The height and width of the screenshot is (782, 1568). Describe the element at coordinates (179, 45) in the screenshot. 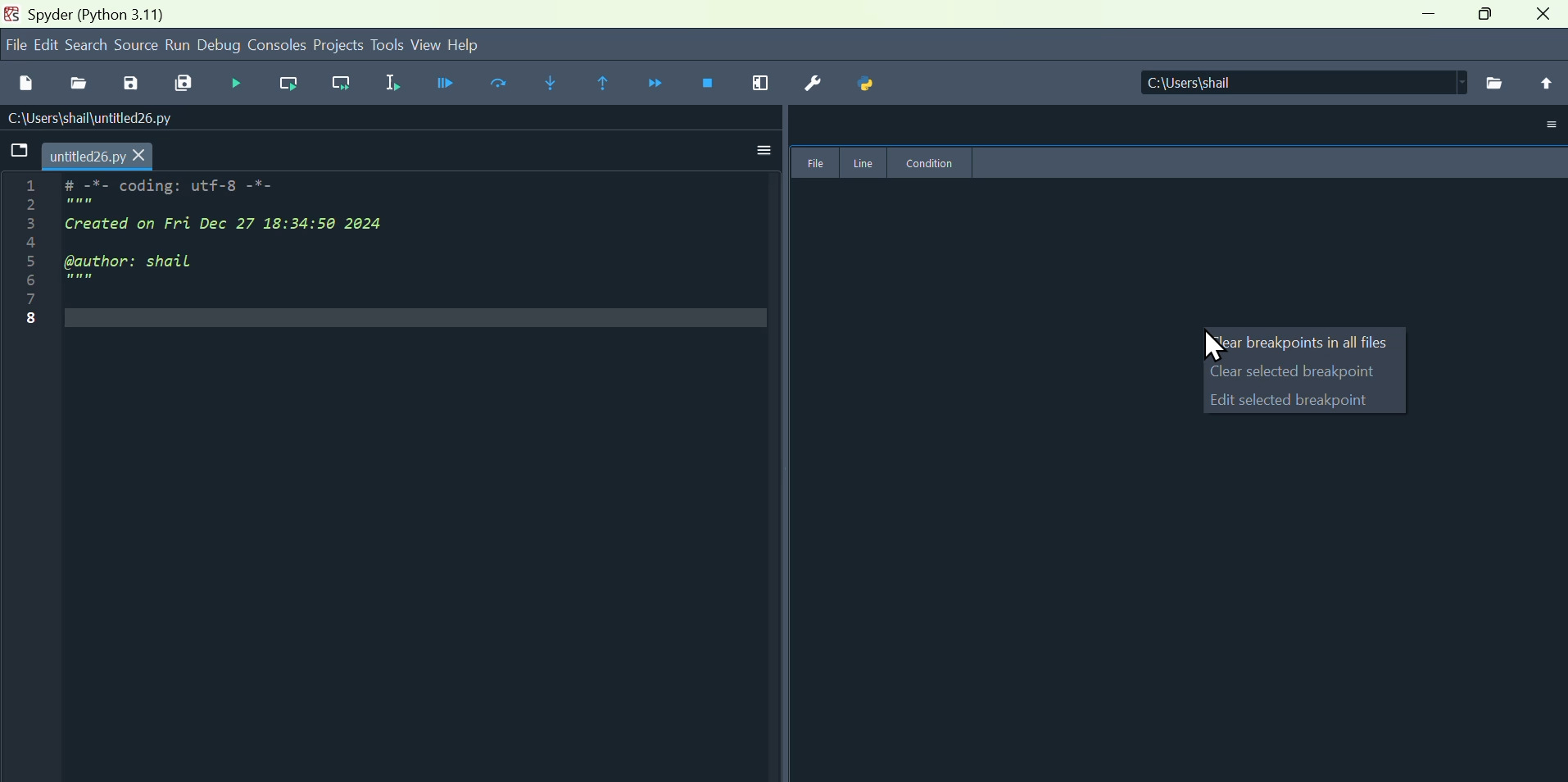

I see `Run` at that location.